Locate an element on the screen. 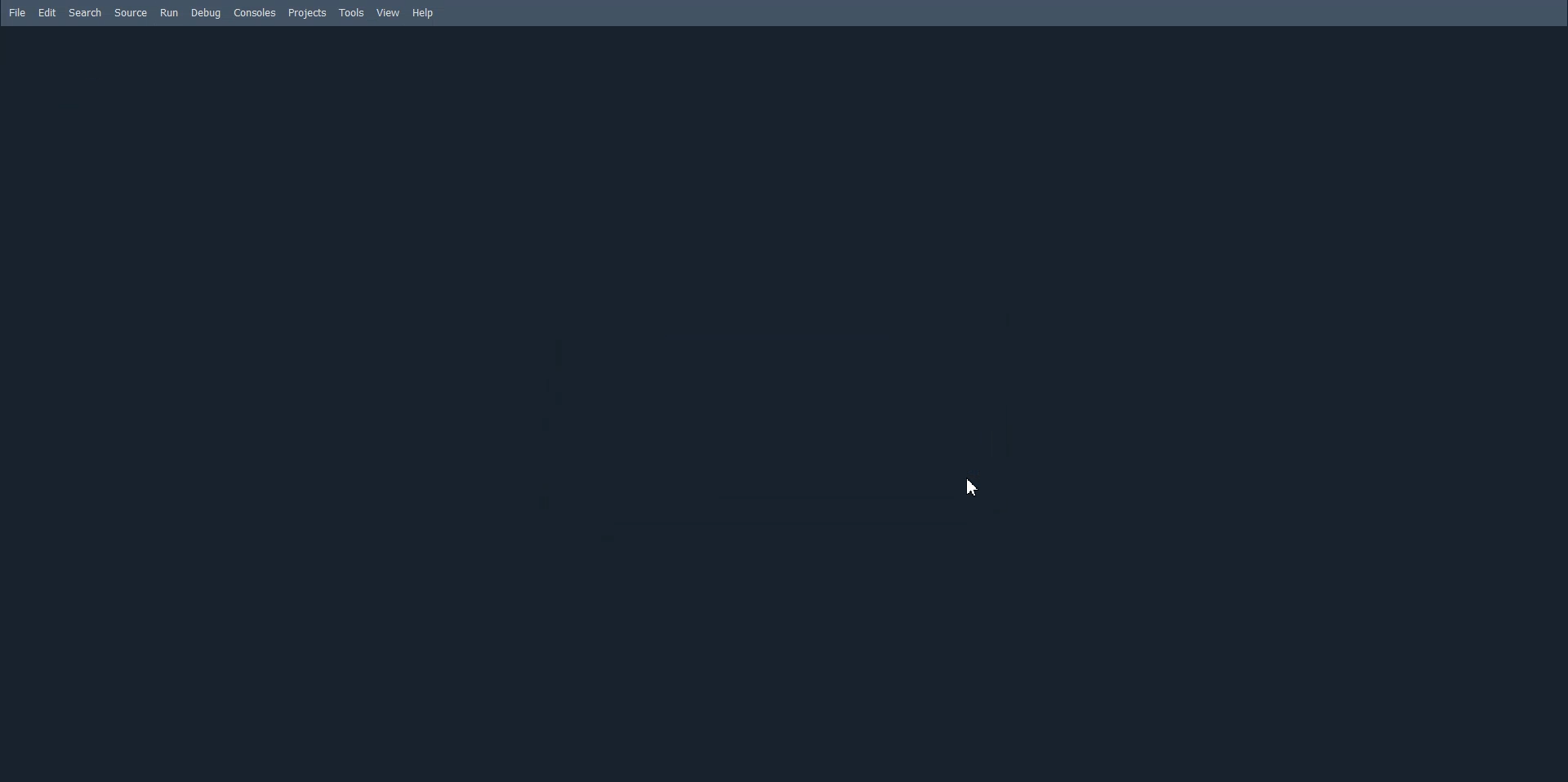 Image resolution: width=1568 pixels, height=782 pixels. Console is located at coordinates (255, 12).